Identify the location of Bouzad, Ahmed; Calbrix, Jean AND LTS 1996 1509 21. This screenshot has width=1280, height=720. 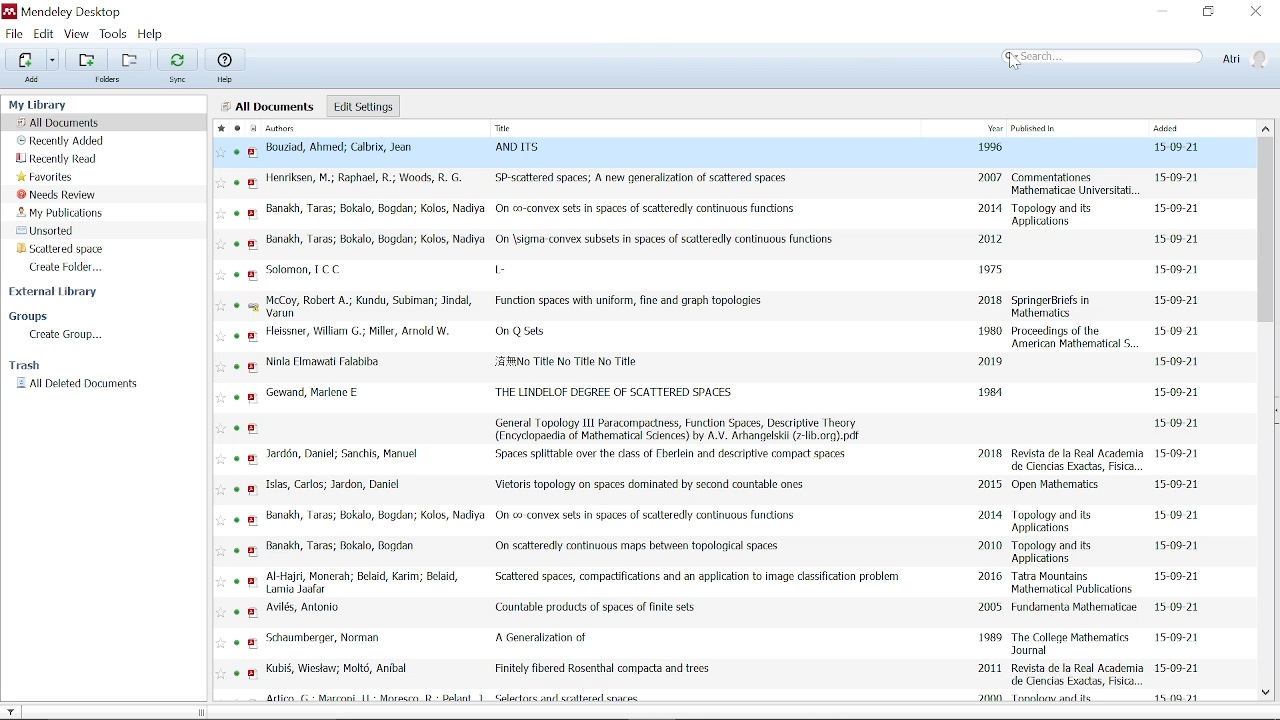
(743, 153).